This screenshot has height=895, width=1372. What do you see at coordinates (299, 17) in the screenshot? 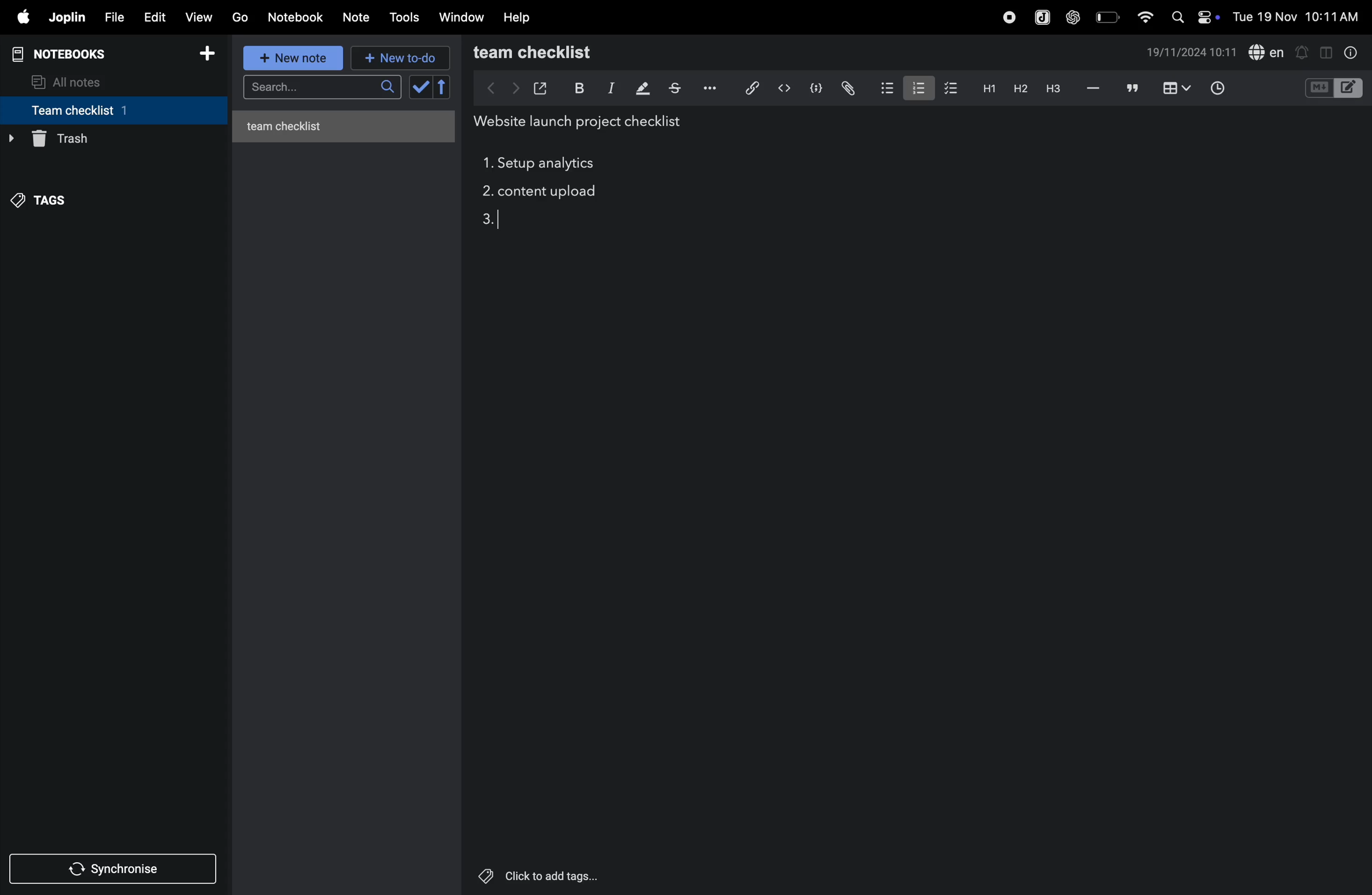
I see `Notebook` at bounding box center [299, 17].